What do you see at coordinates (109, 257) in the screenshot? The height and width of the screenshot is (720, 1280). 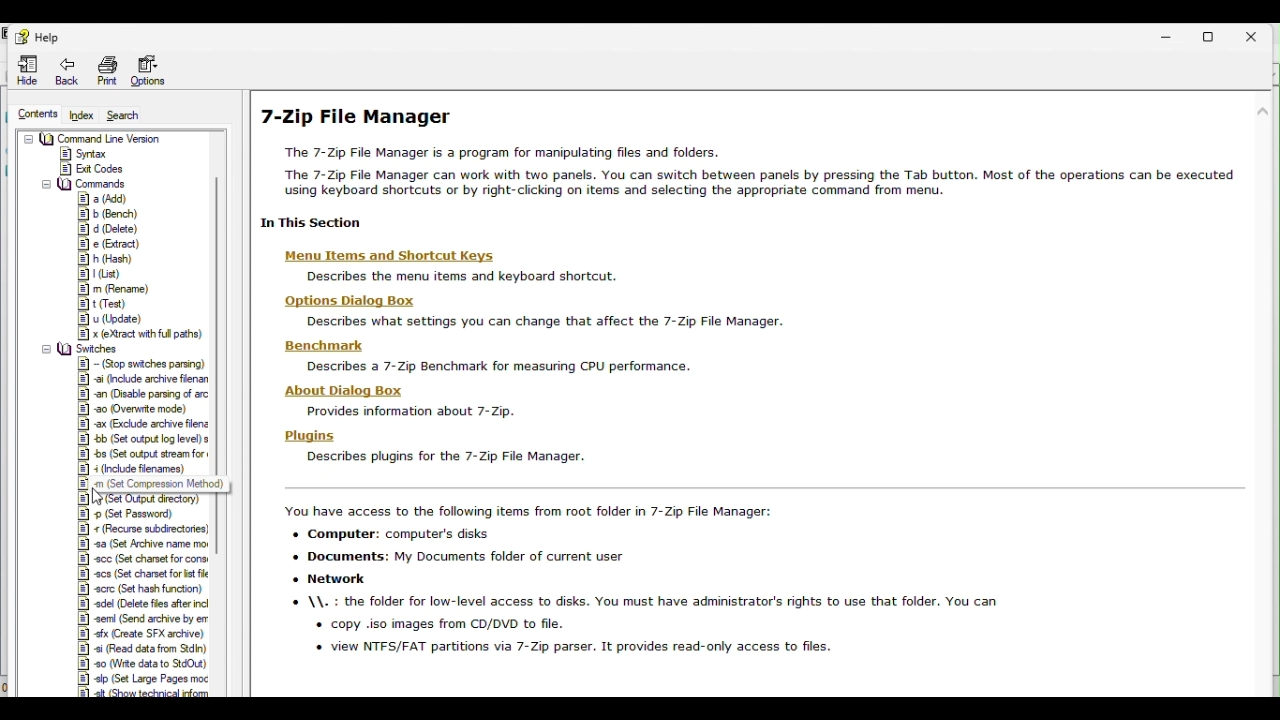 I see `hash` at bounding box center [109, 257].